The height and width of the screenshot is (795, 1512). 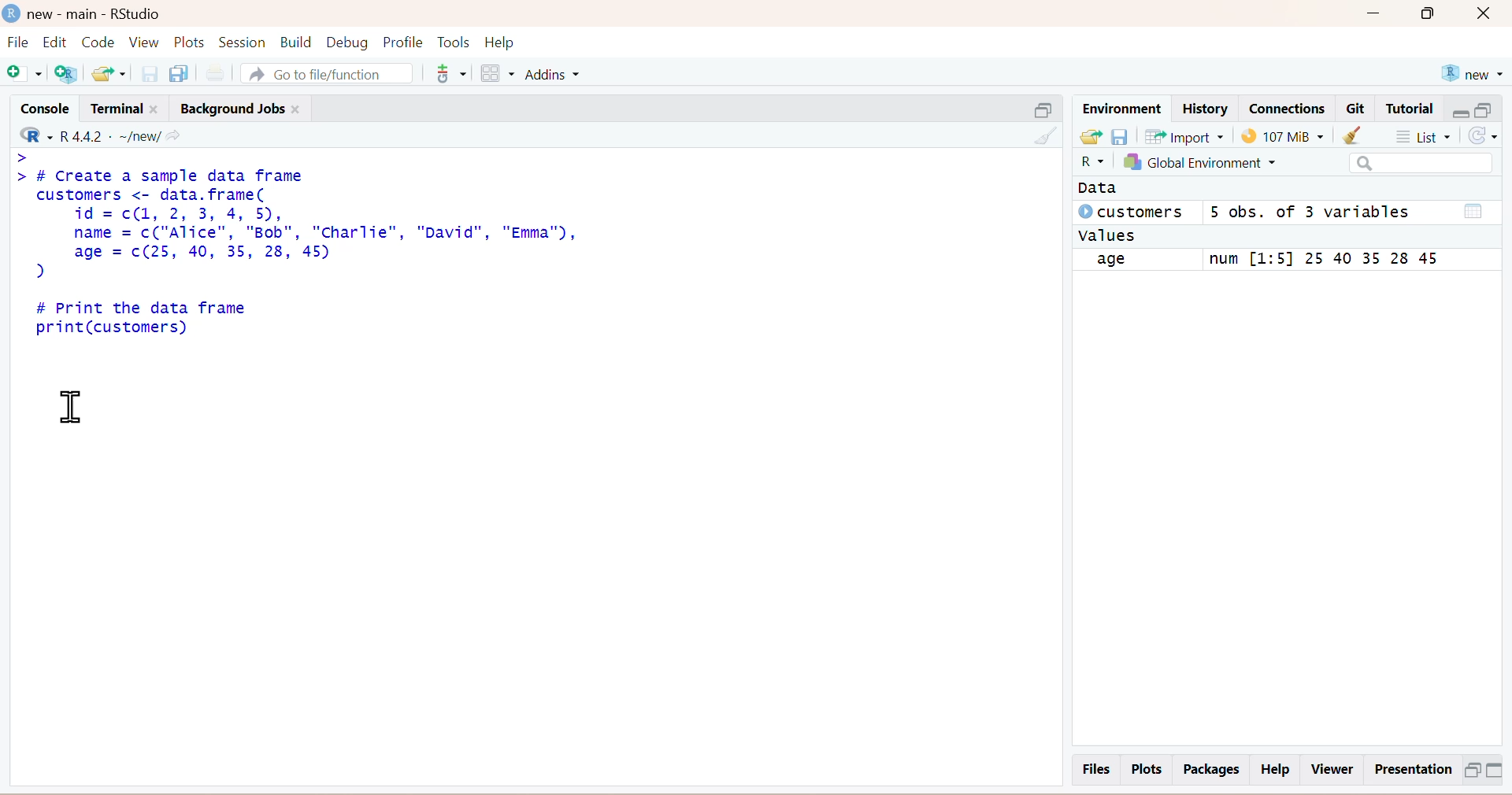 What do you see at coordinates (1428, 136) in the screenshot?
I see `List` at bounding box center [1428, 136].